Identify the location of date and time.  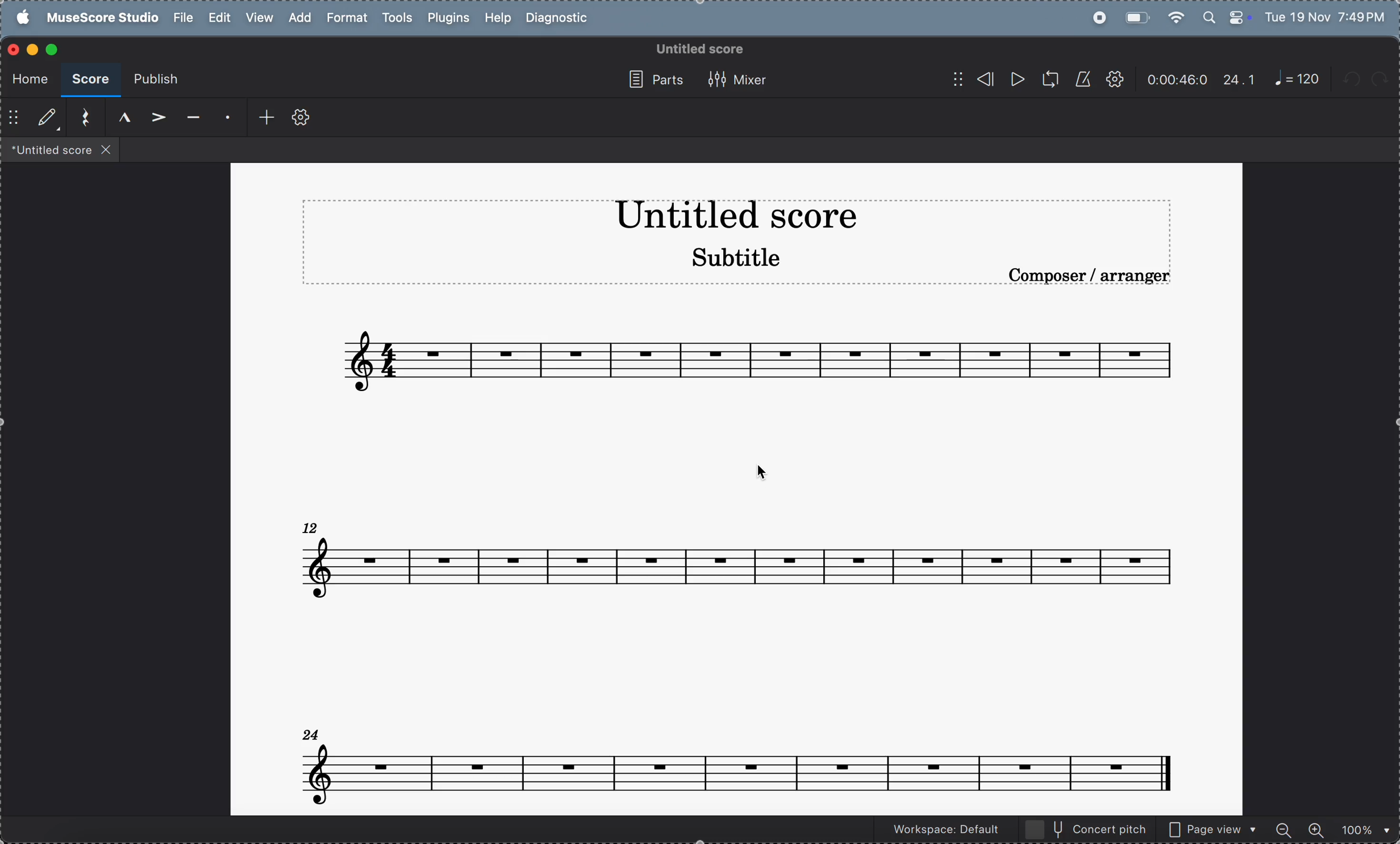
(1326, 16).